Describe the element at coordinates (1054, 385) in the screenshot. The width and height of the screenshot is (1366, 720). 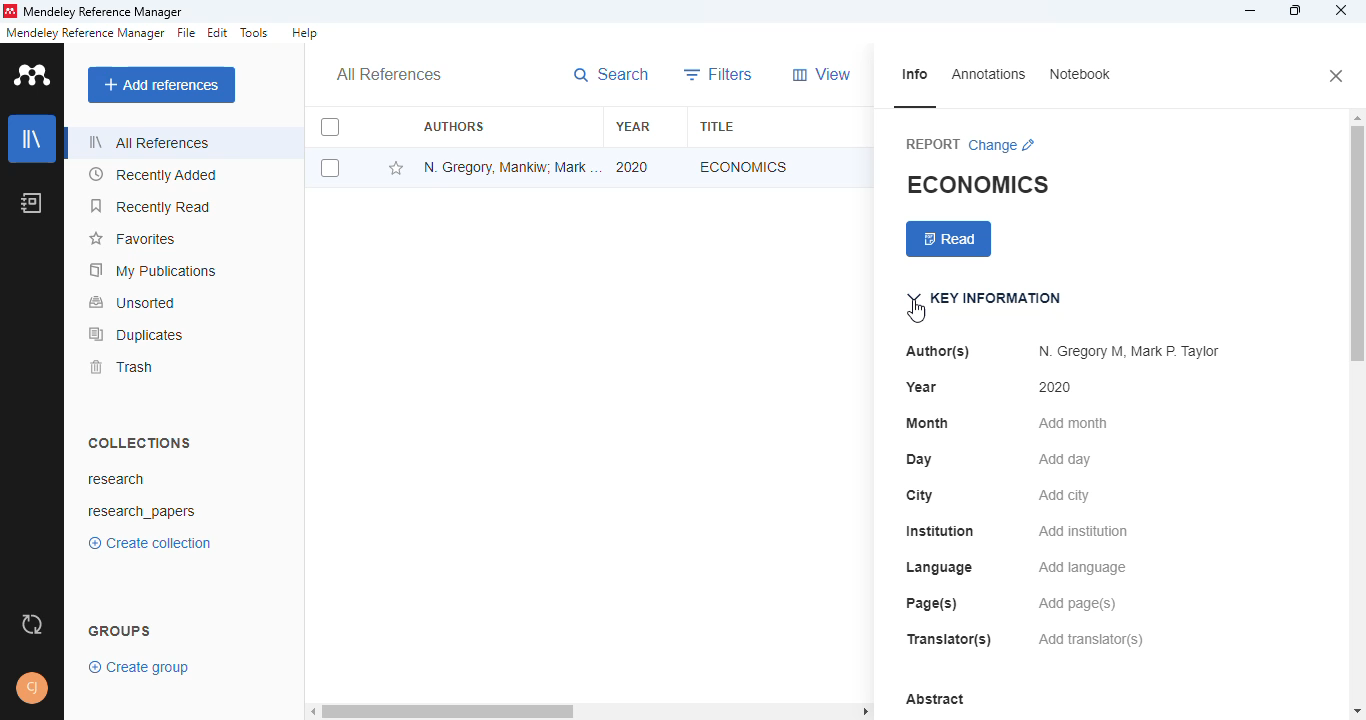
I see `2020` at that location.